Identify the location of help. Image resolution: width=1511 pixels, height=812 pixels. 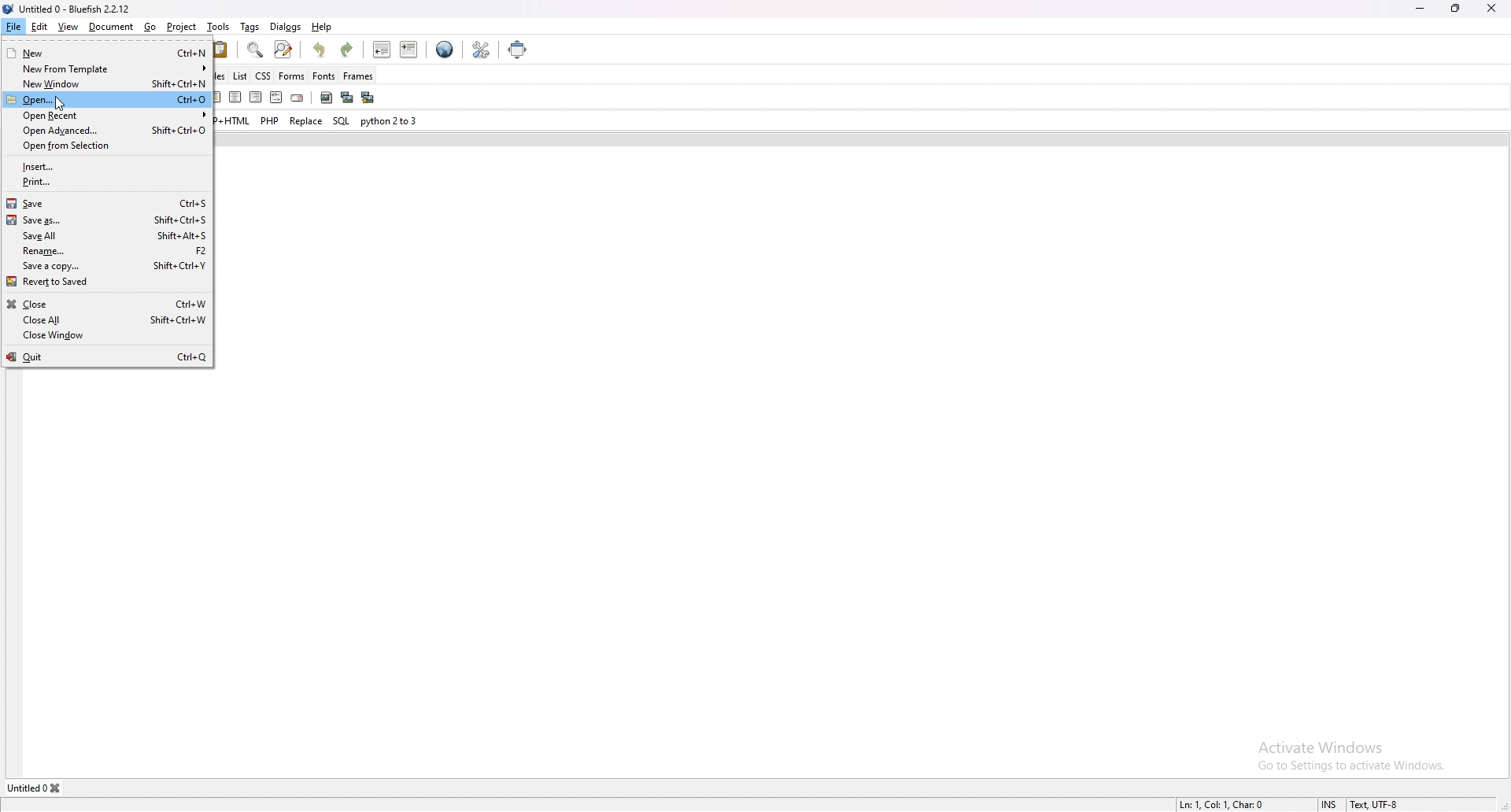
(323, 28).